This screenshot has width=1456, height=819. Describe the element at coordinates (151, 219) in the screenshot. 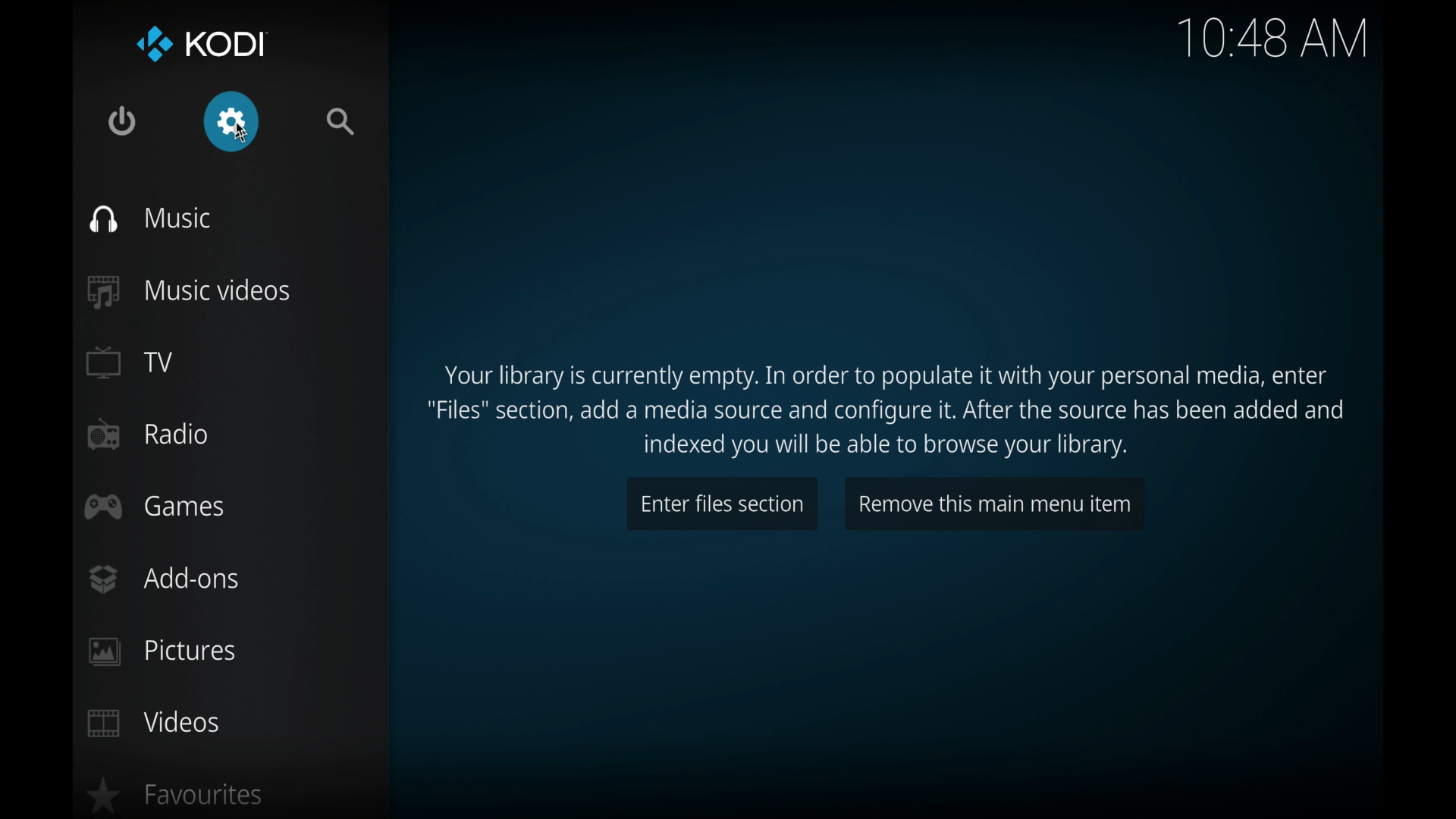

I see `music` at that location.